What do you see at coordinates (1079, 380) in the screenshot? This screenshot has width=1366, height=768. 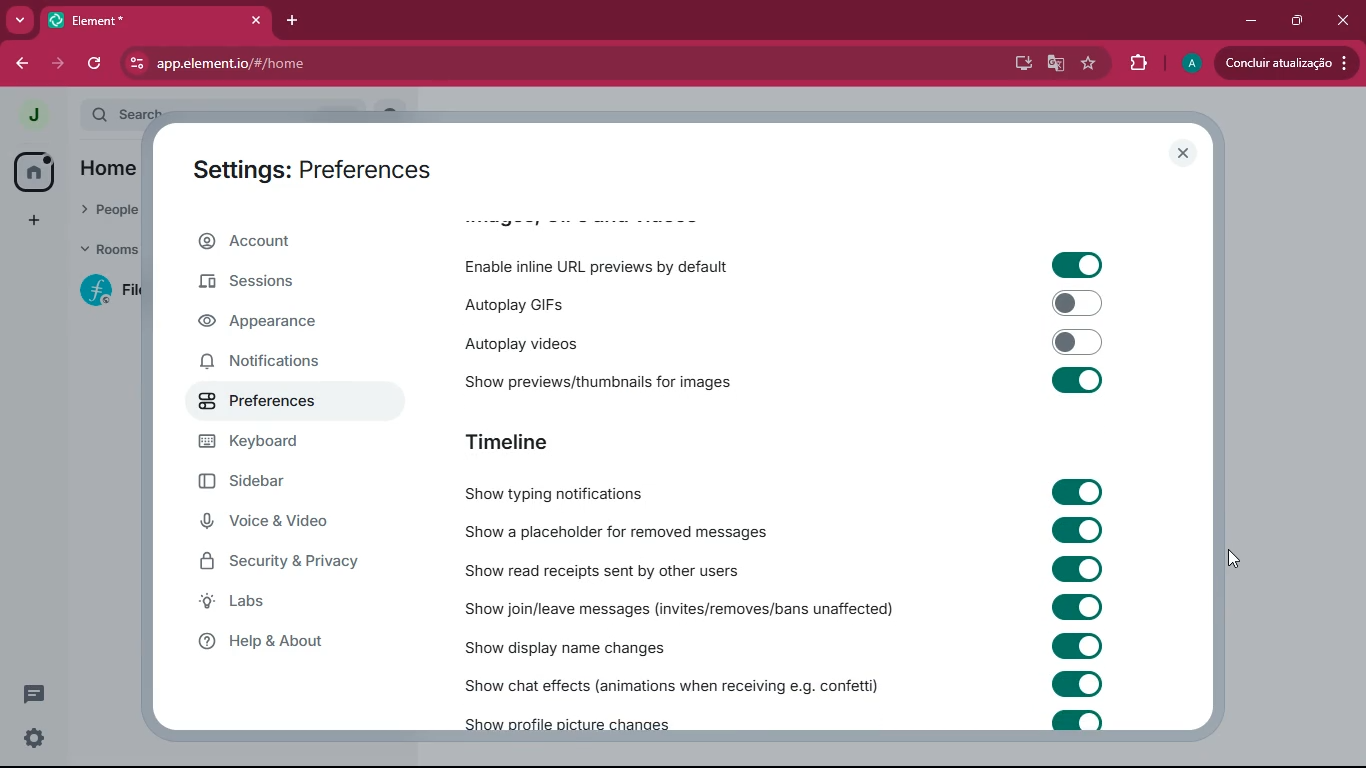 I see `toggle on/off` at bounding box center [1079, 380].